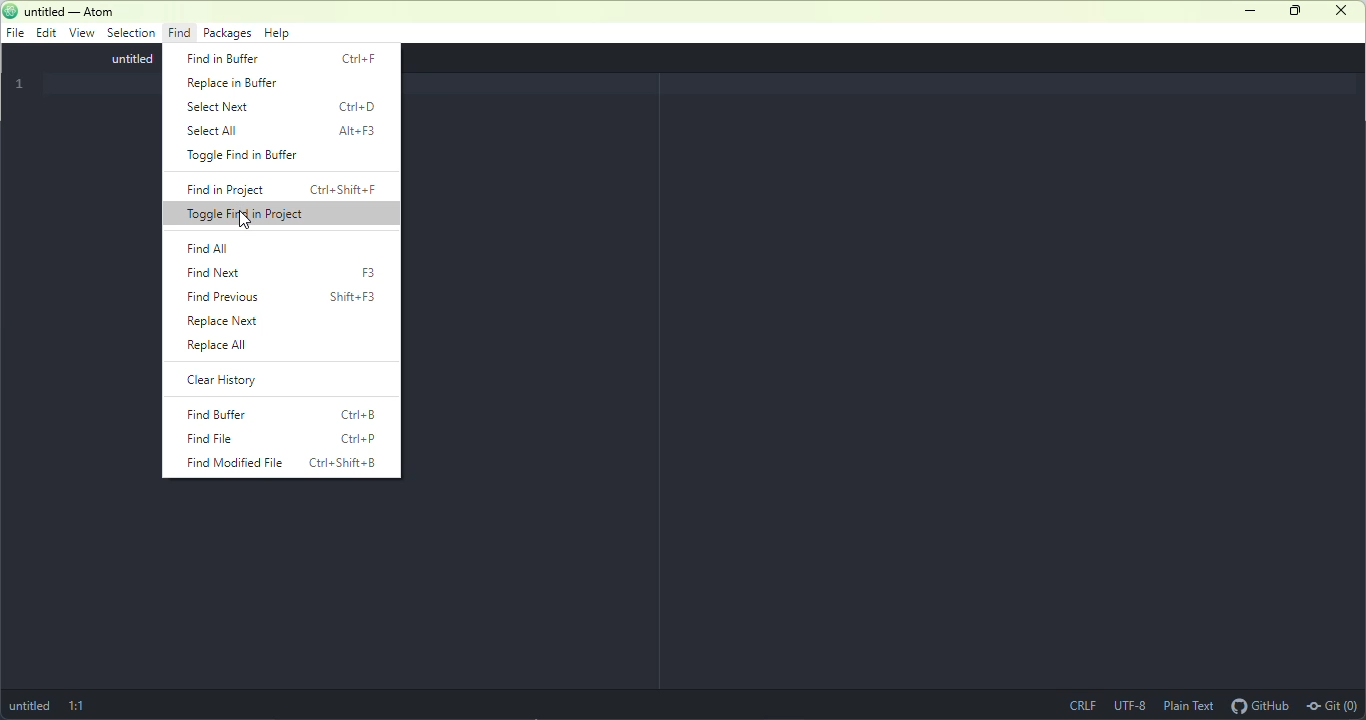 The width and height of the screenshot is (1366, 720). What do you see at coordinates (1340, 11) in the screenshot?
I see `close` at bounding box center [1340, 11].